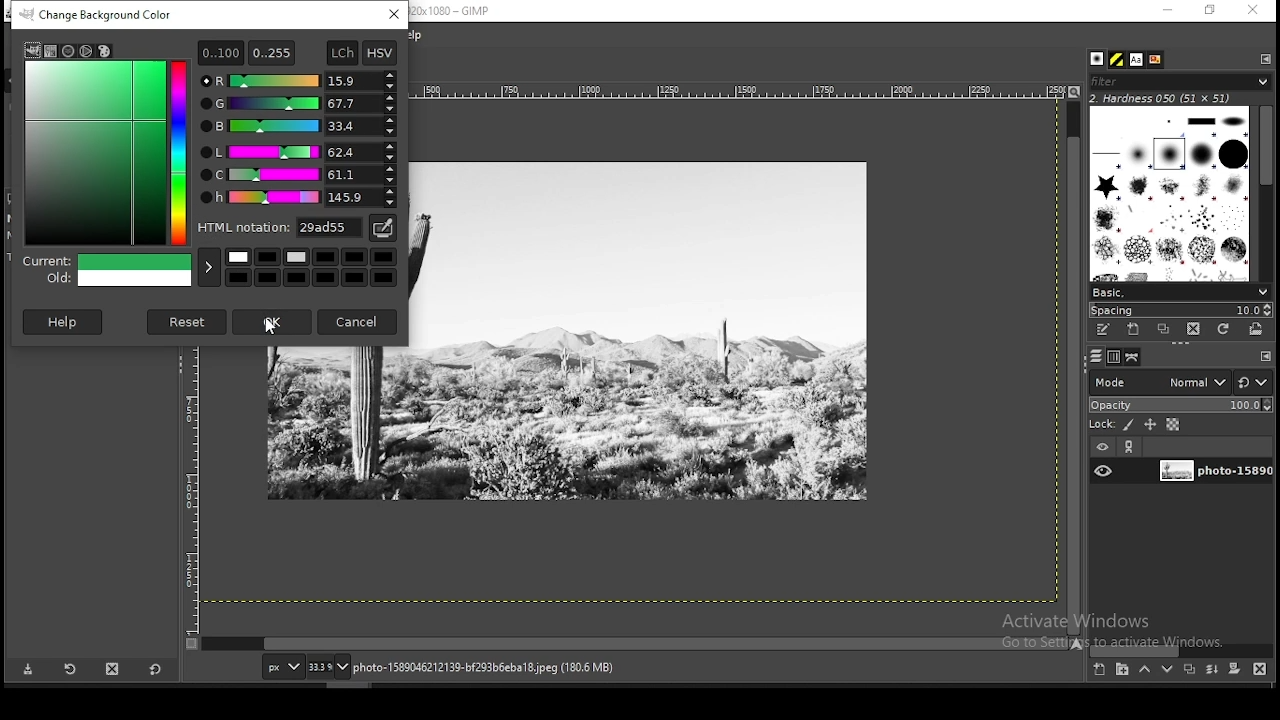  Describe the element at coordinates (188, 321) in the screenshot. I see `reset` at that location.